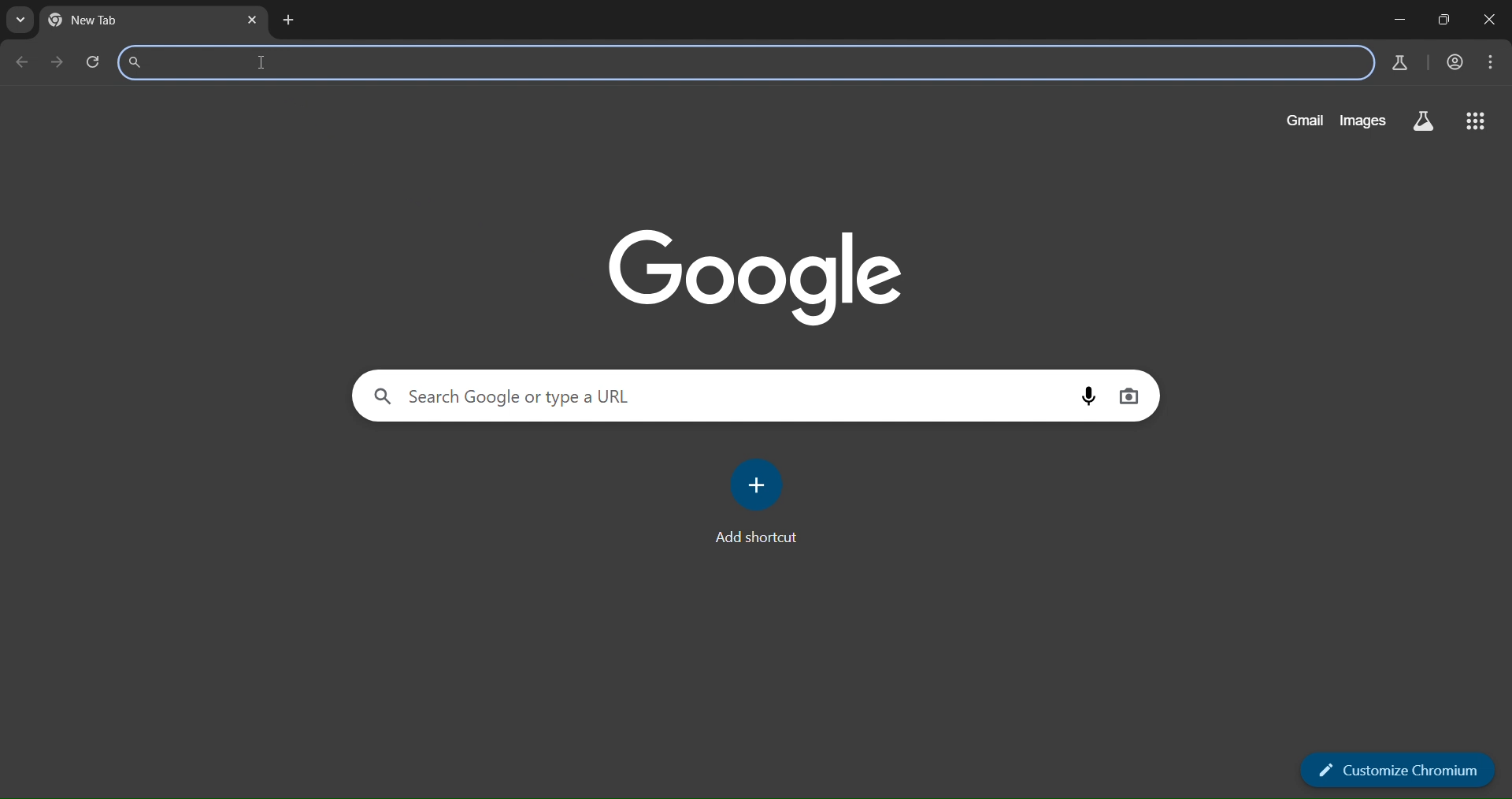 Image resolution: width=1512 pixels, height=799 pixels. I want to click on current tab, so click(107, 20).